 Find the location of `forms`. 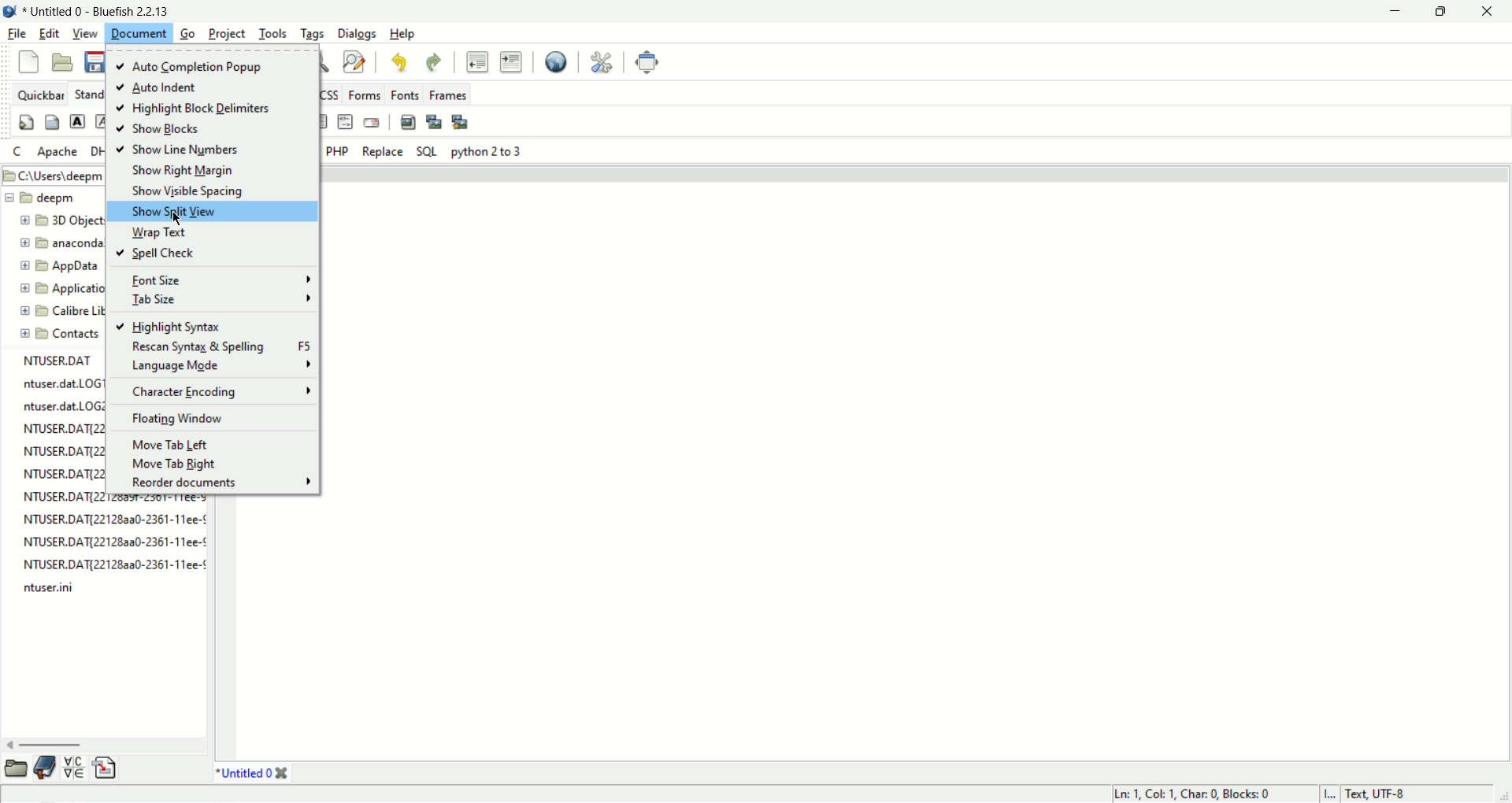

forms is located at coordinates (364, 95).